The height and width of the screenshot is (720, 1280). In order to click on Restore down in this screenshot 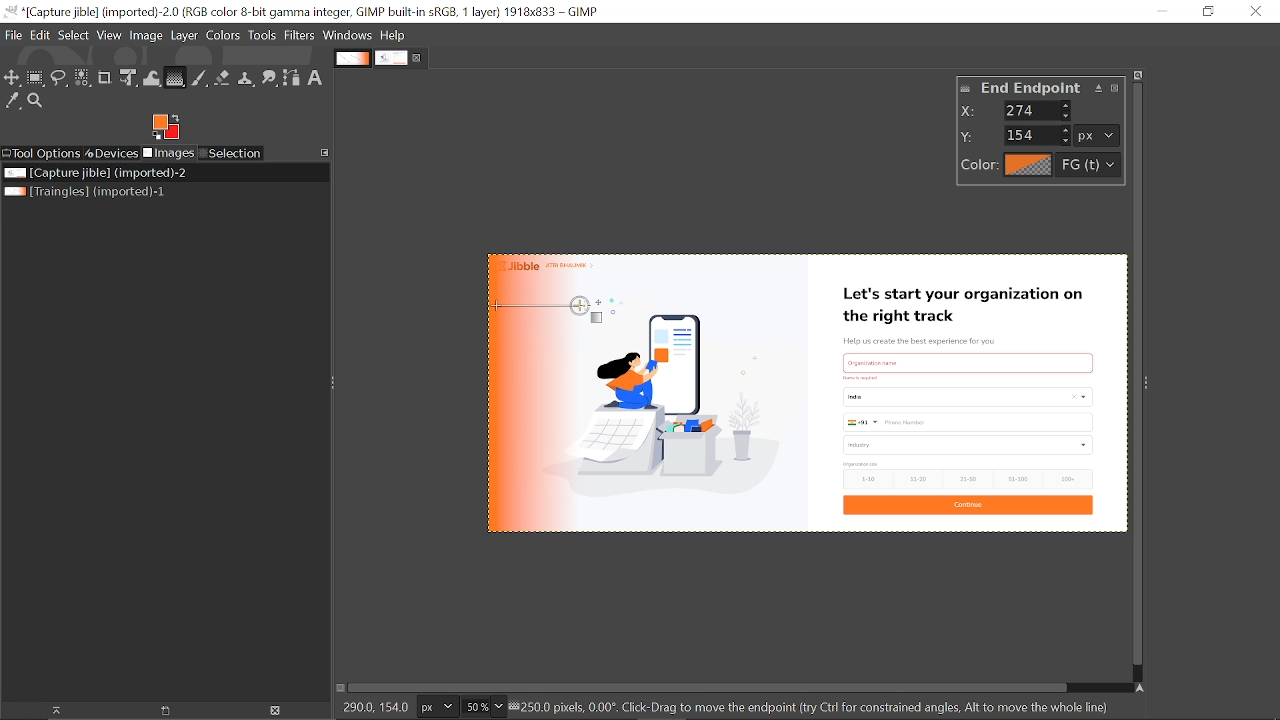, I will do `click(1210, 12)`.